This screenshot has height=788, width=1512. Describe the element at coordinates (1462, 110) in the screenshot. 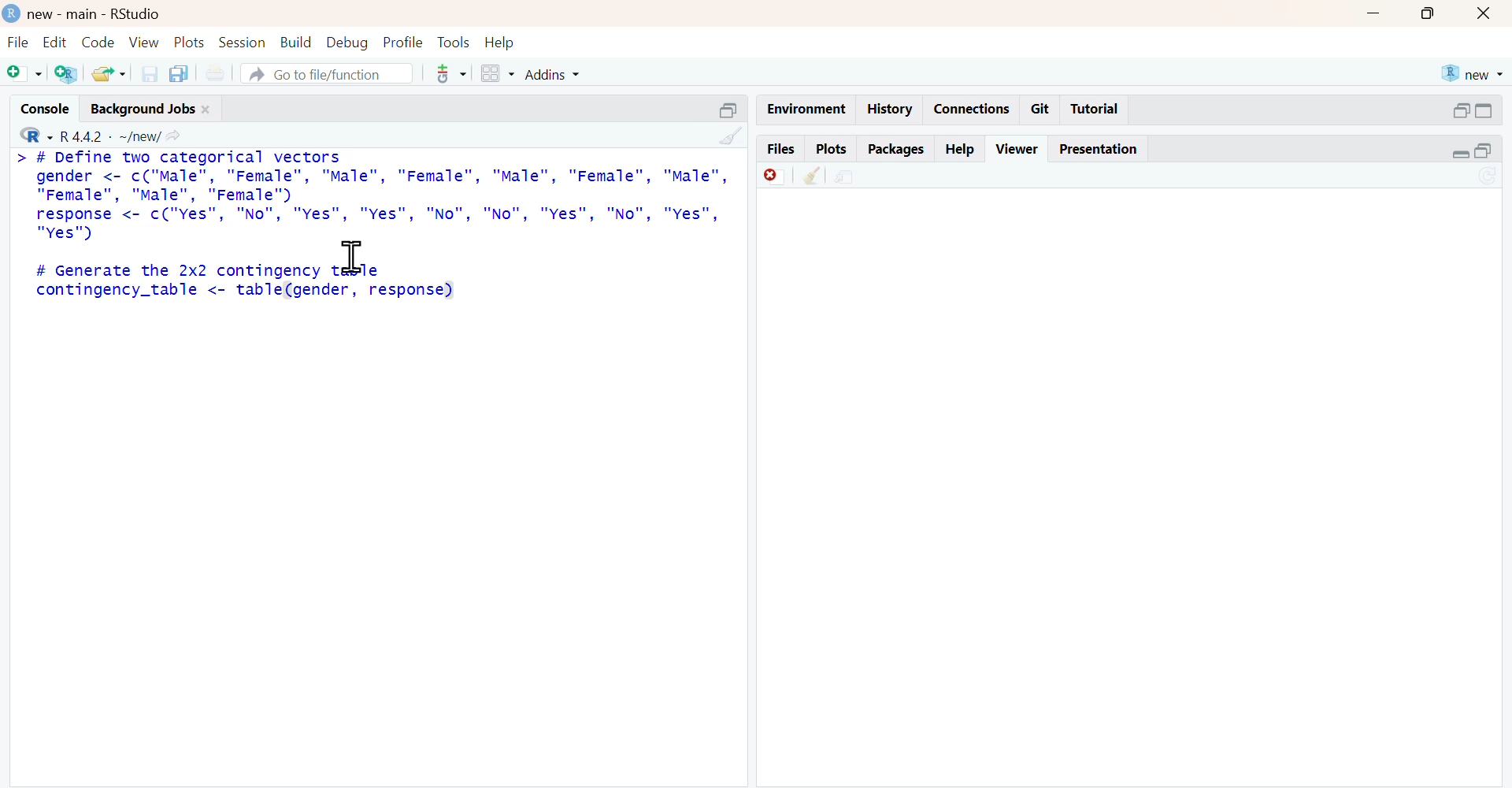

I see `open in separate window` at that location.